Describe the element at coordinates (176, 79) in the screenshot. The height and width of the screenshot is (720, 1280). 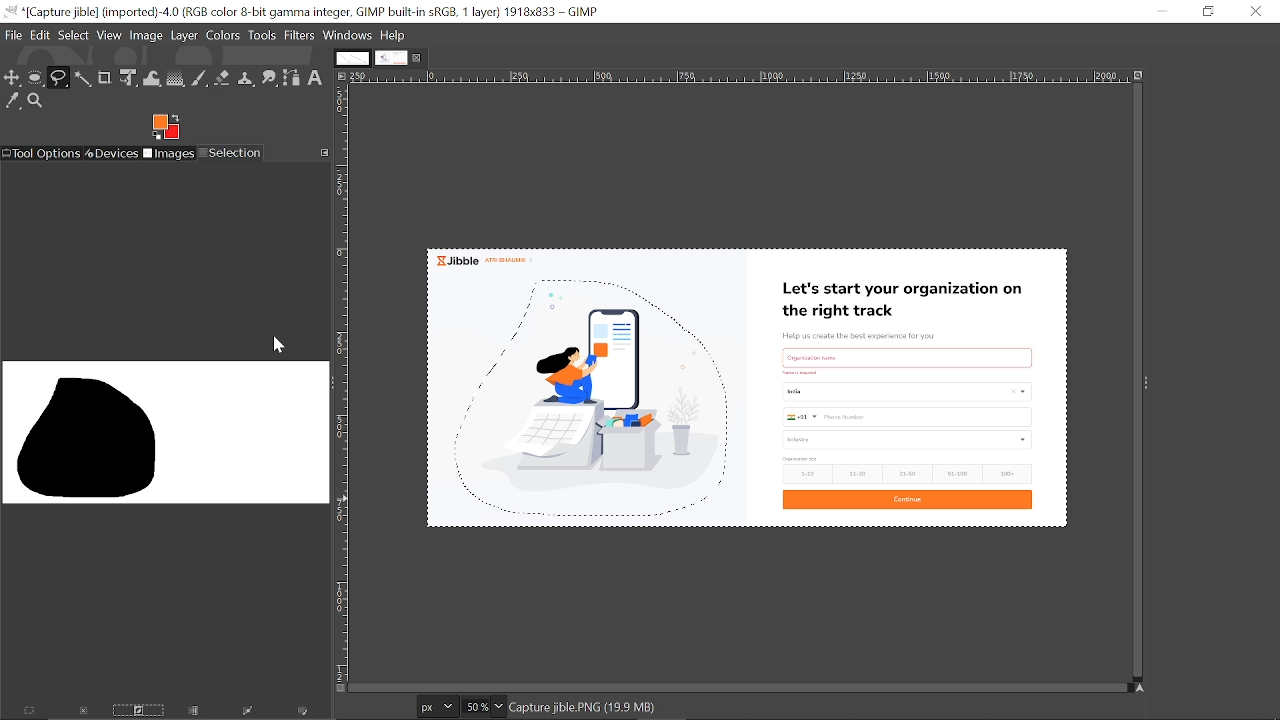
I see `Gradient tool` at that location.